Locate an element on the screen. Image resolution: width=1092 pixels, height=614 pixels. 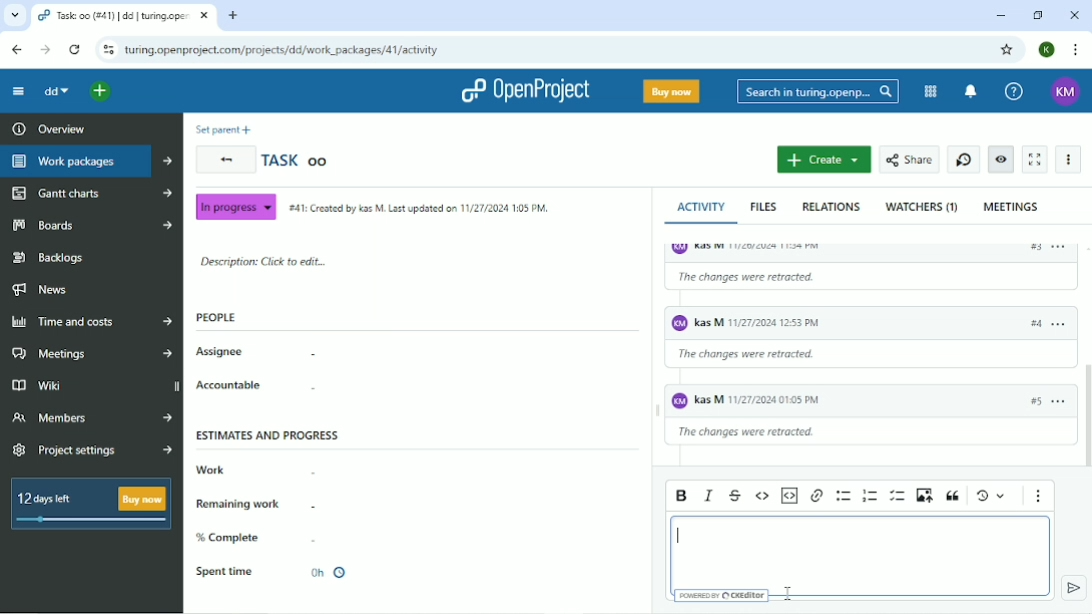
Link is located at coordinates (816, 496).